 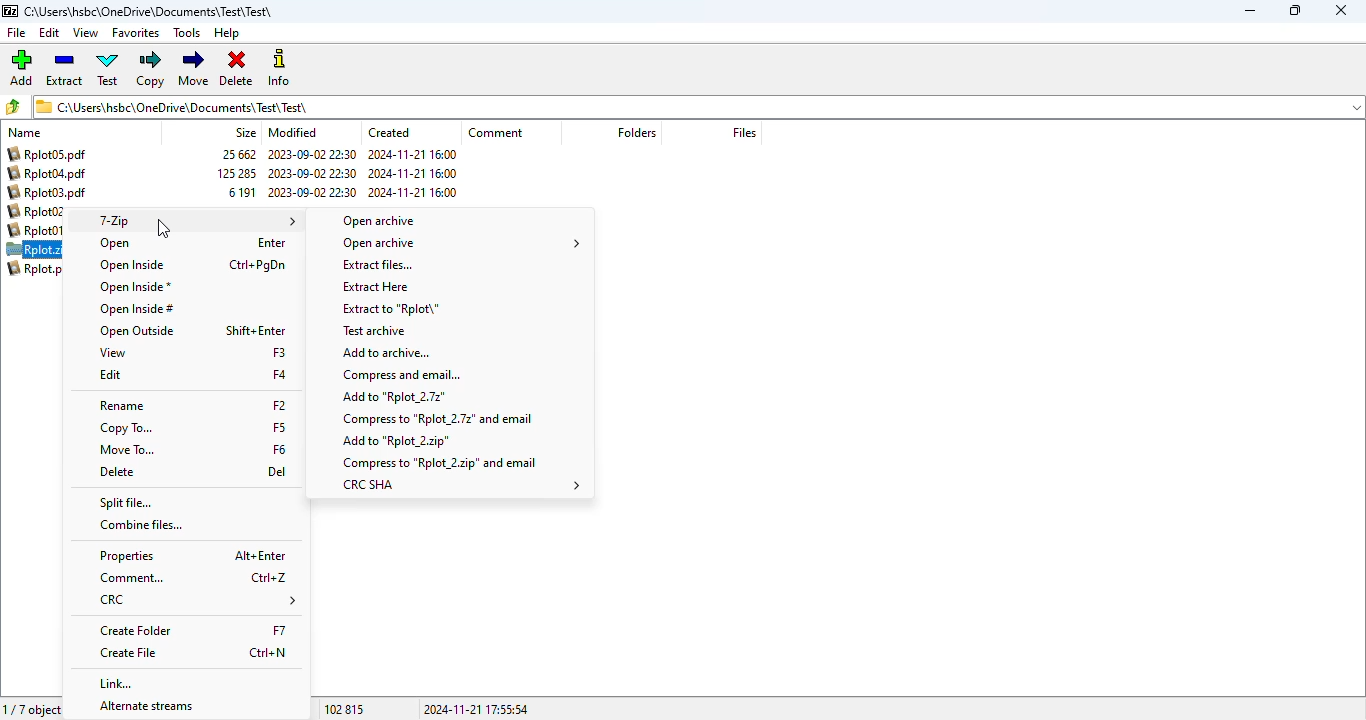 I want to click on Rplot05.pdf, so click(x=47, y=153).